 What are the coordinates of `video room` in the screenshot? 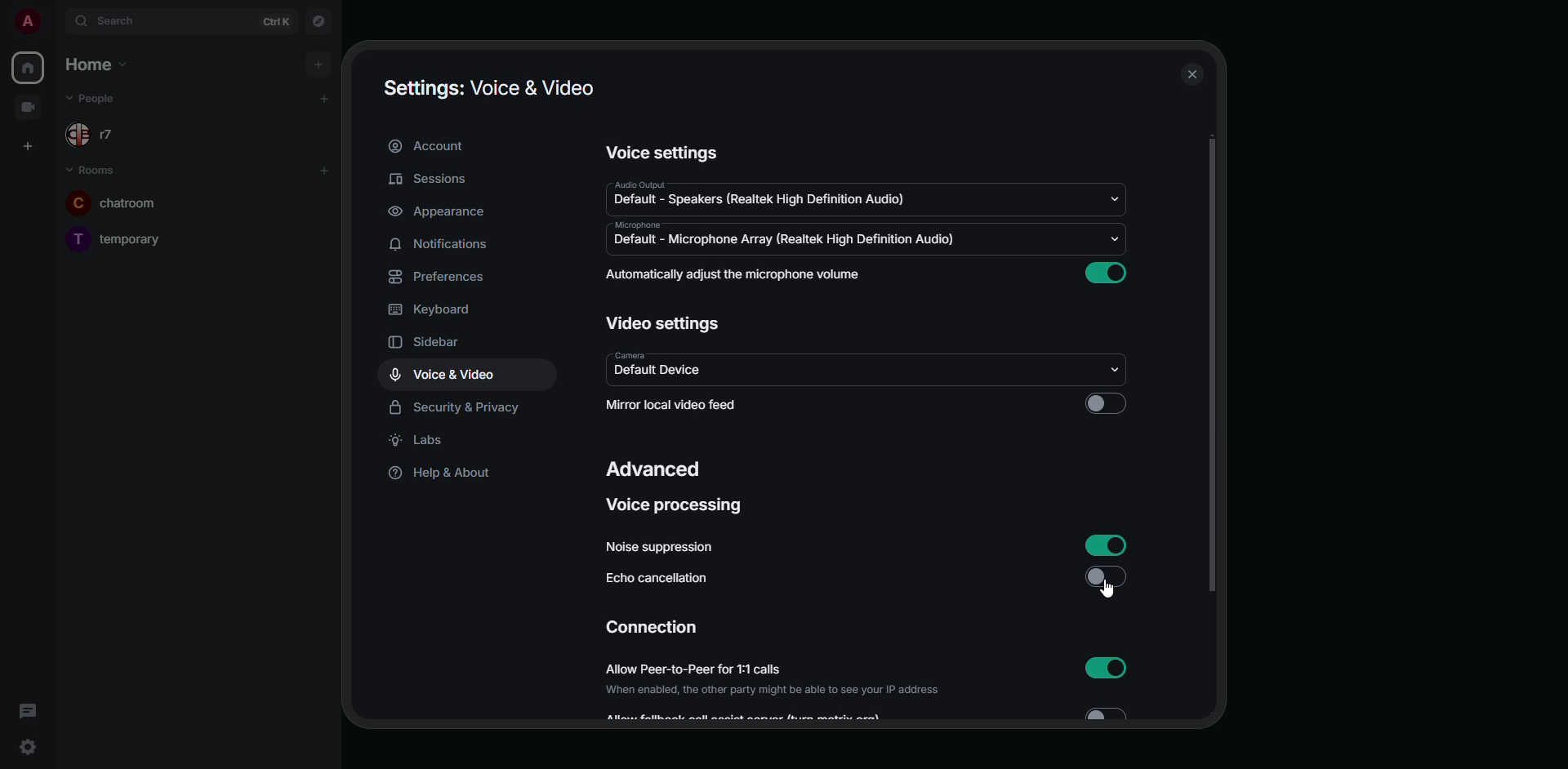 It's located at (33, 105).